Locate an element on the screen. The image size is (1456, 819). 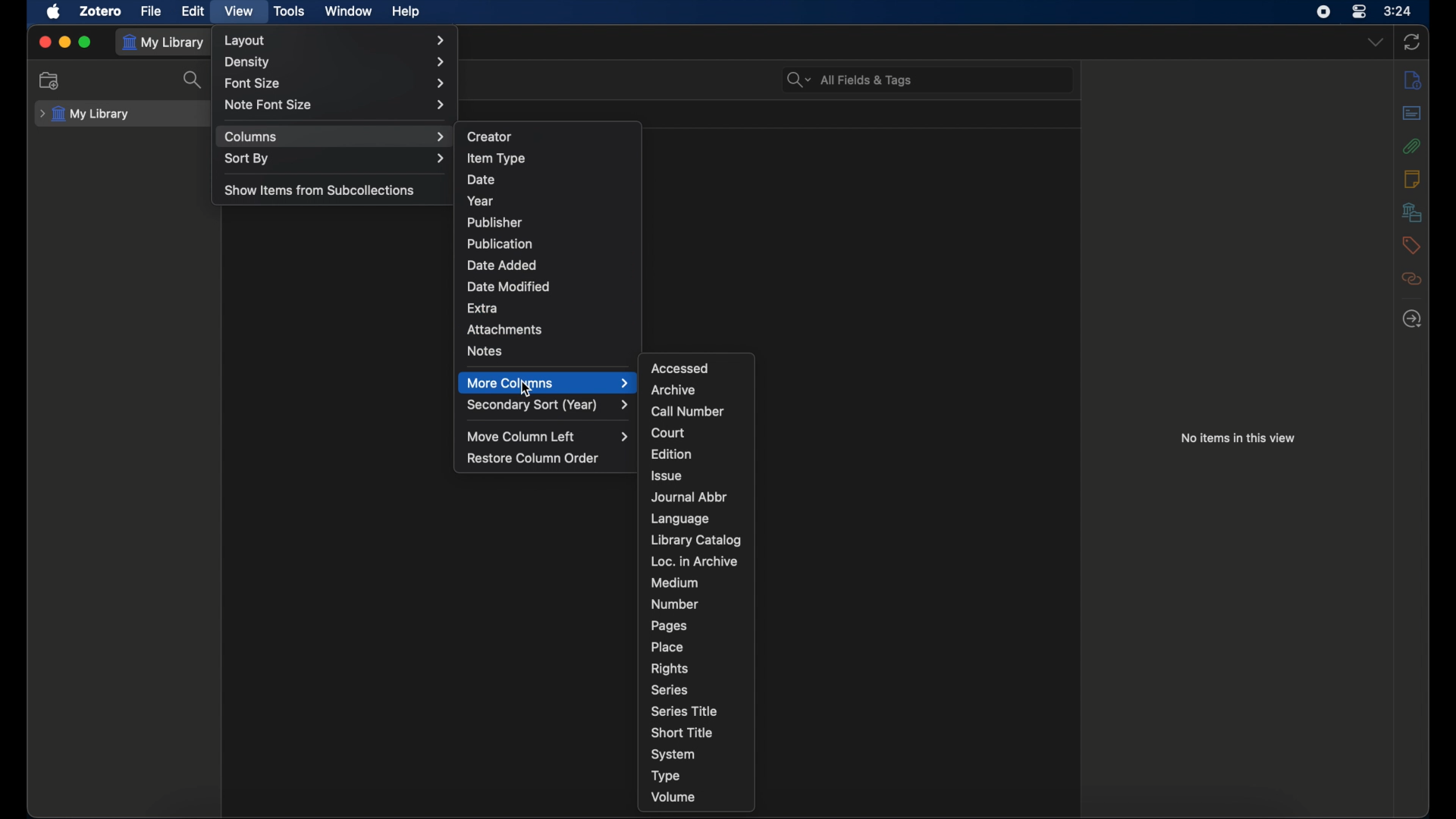
archive is located at coordinates (673, 390).